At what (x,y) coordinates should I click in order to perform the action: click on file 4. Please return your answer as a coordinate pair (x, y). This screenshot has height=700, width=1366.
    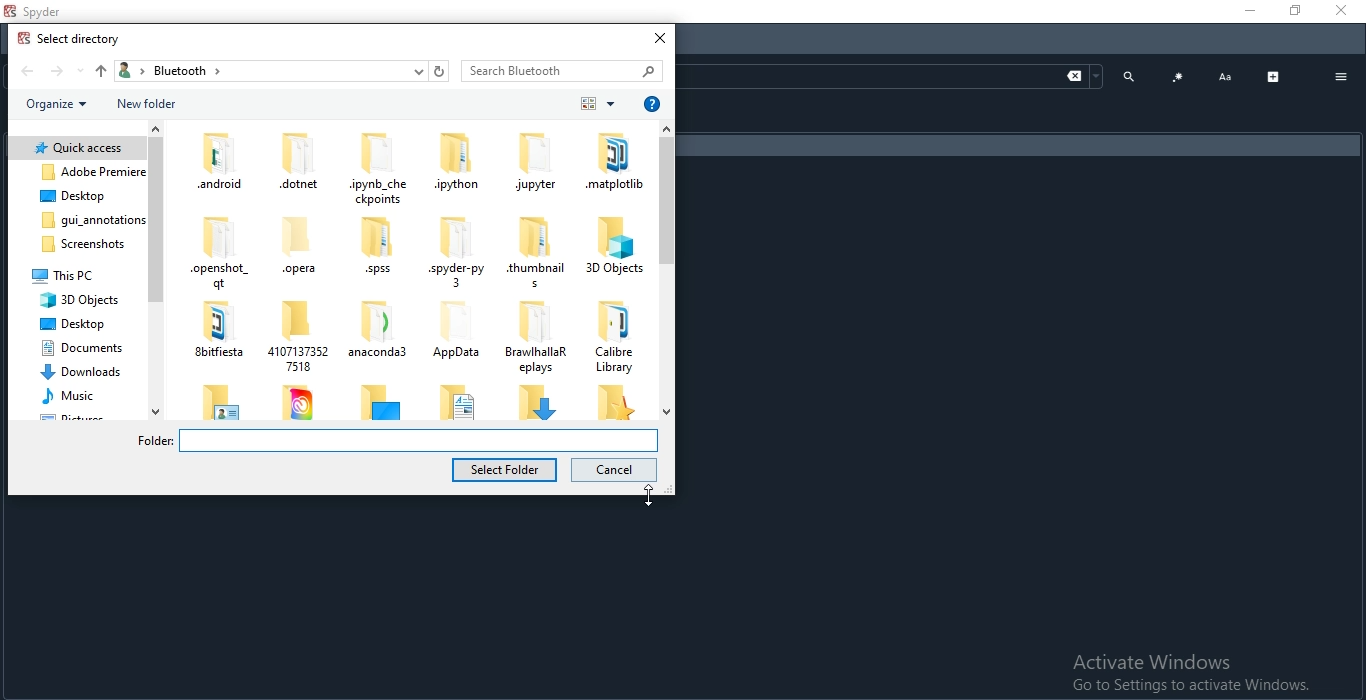
    Looking at the image, I should click on (75, 218).